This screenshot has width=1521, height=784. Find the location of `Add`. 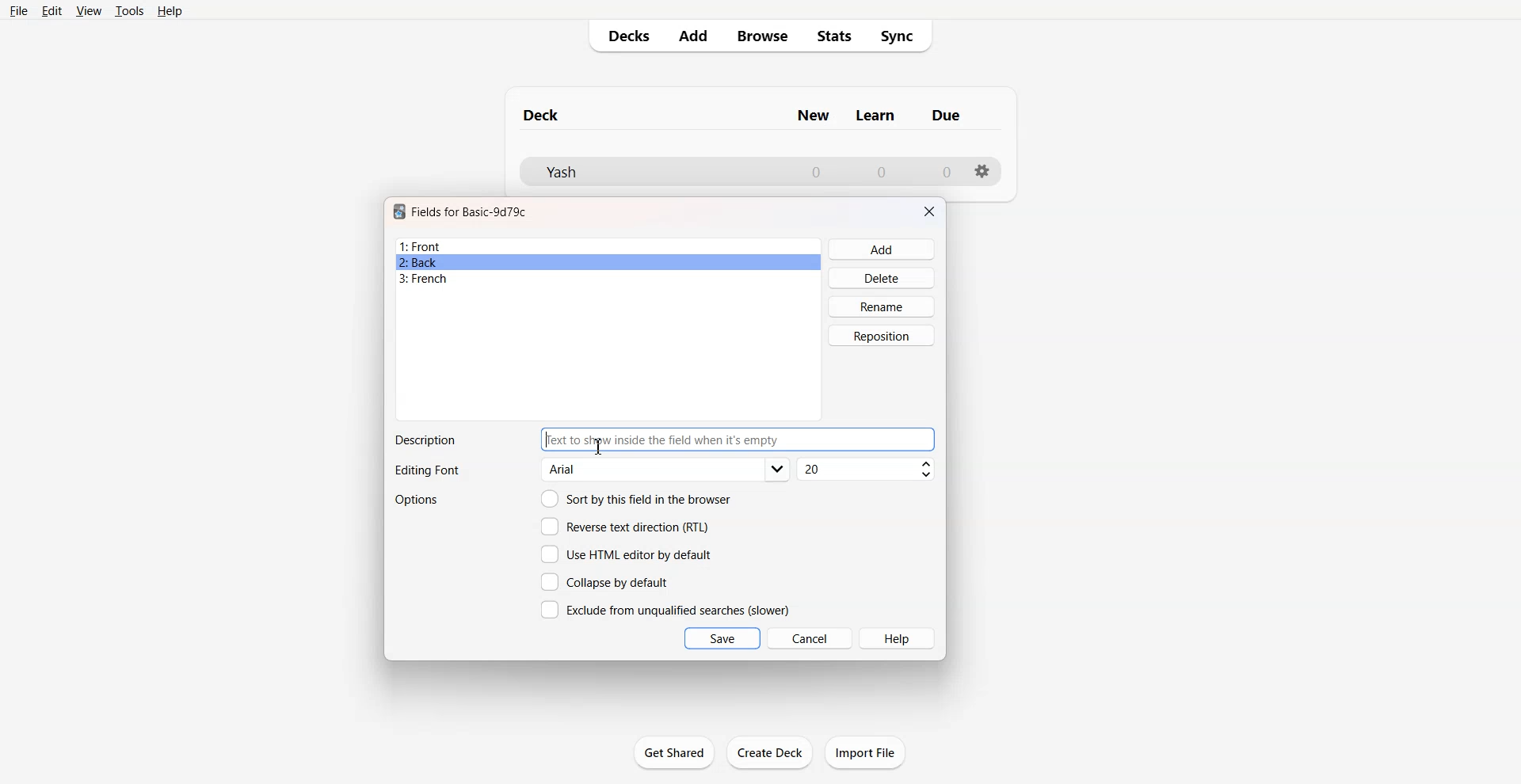

Add is located at coordinates (882, 249).